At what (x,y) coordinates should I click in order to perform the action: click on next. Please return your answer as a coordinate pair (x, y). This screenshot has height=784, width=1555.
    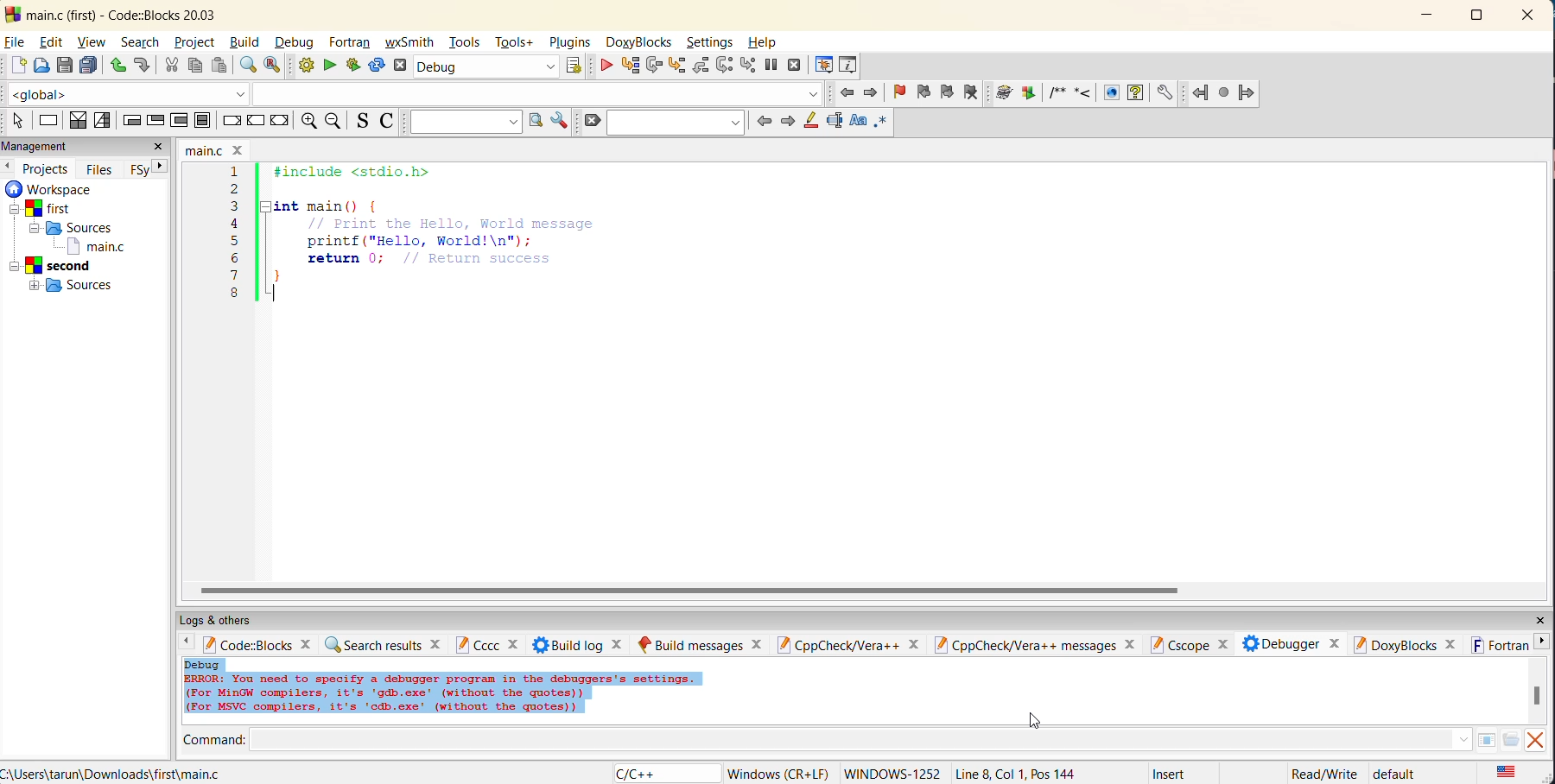
    Looking at the image, I should click on (1545, 646).